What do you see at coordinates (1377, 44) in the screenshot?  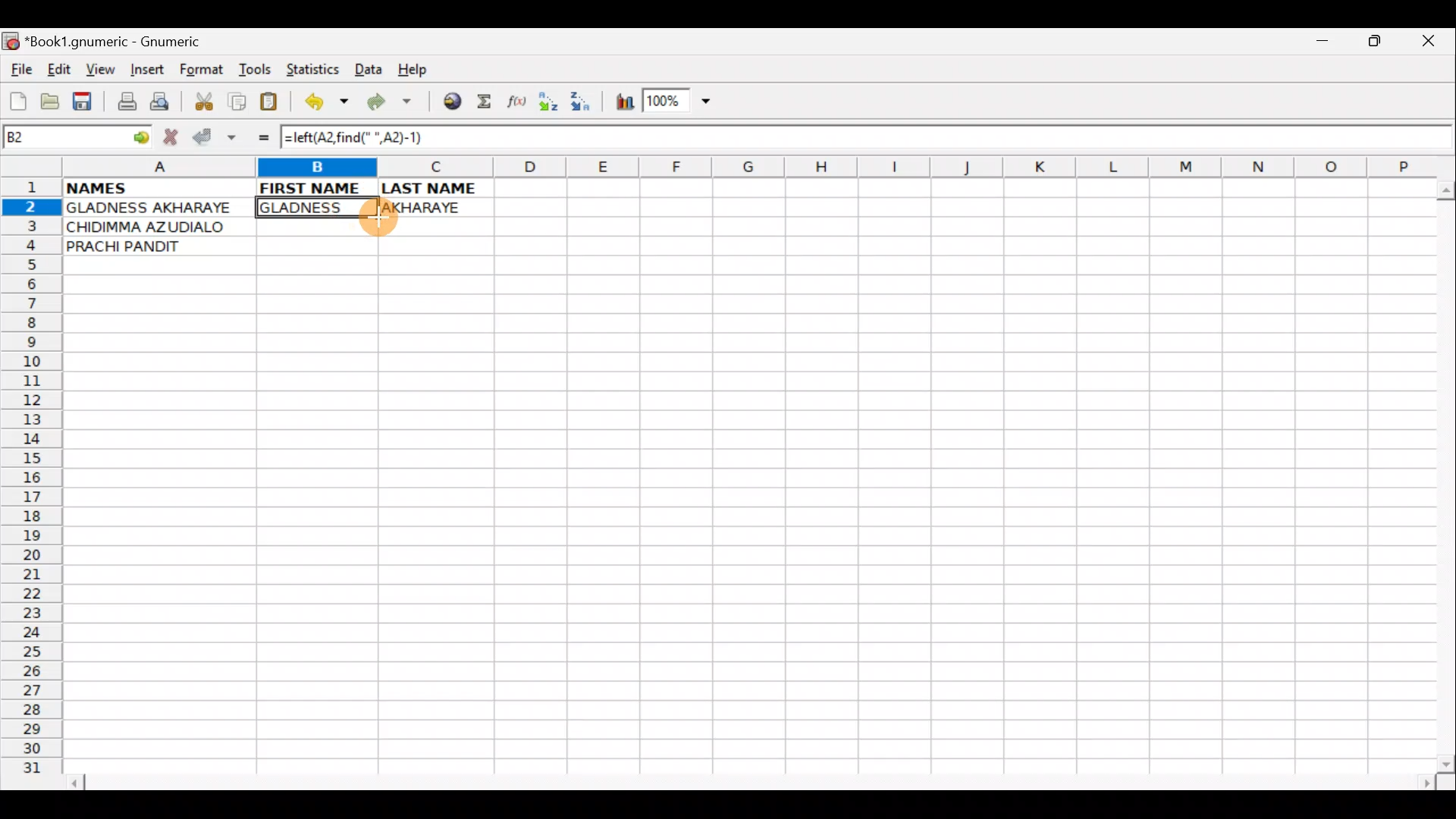 I see `Maximize` at bounding box center [1377, 44].